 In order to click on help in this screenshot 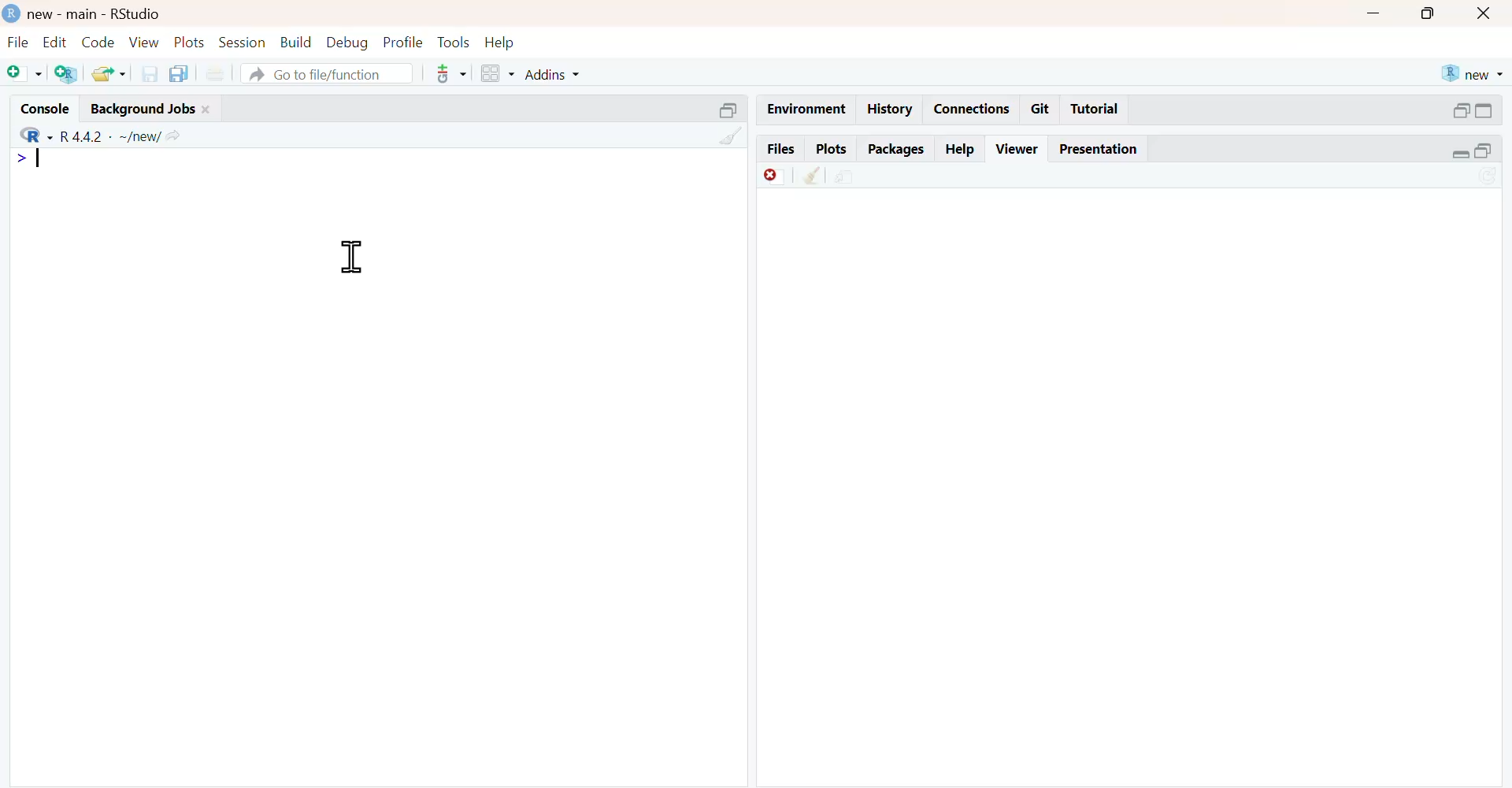, I will do `click(500, 44)`.